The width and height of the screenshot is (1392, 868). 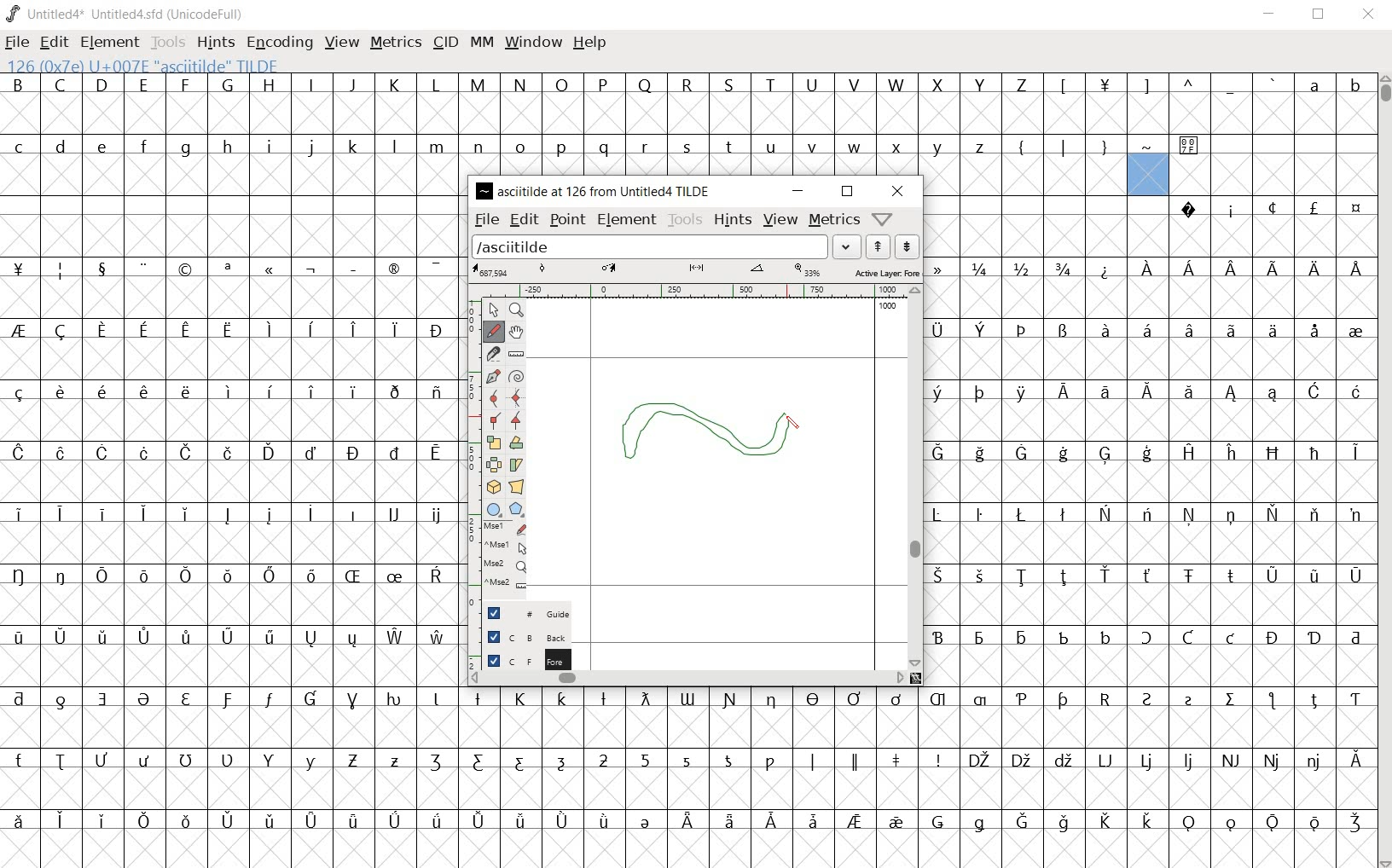 I want to click on scale the selection, so click(x=494, y=443).